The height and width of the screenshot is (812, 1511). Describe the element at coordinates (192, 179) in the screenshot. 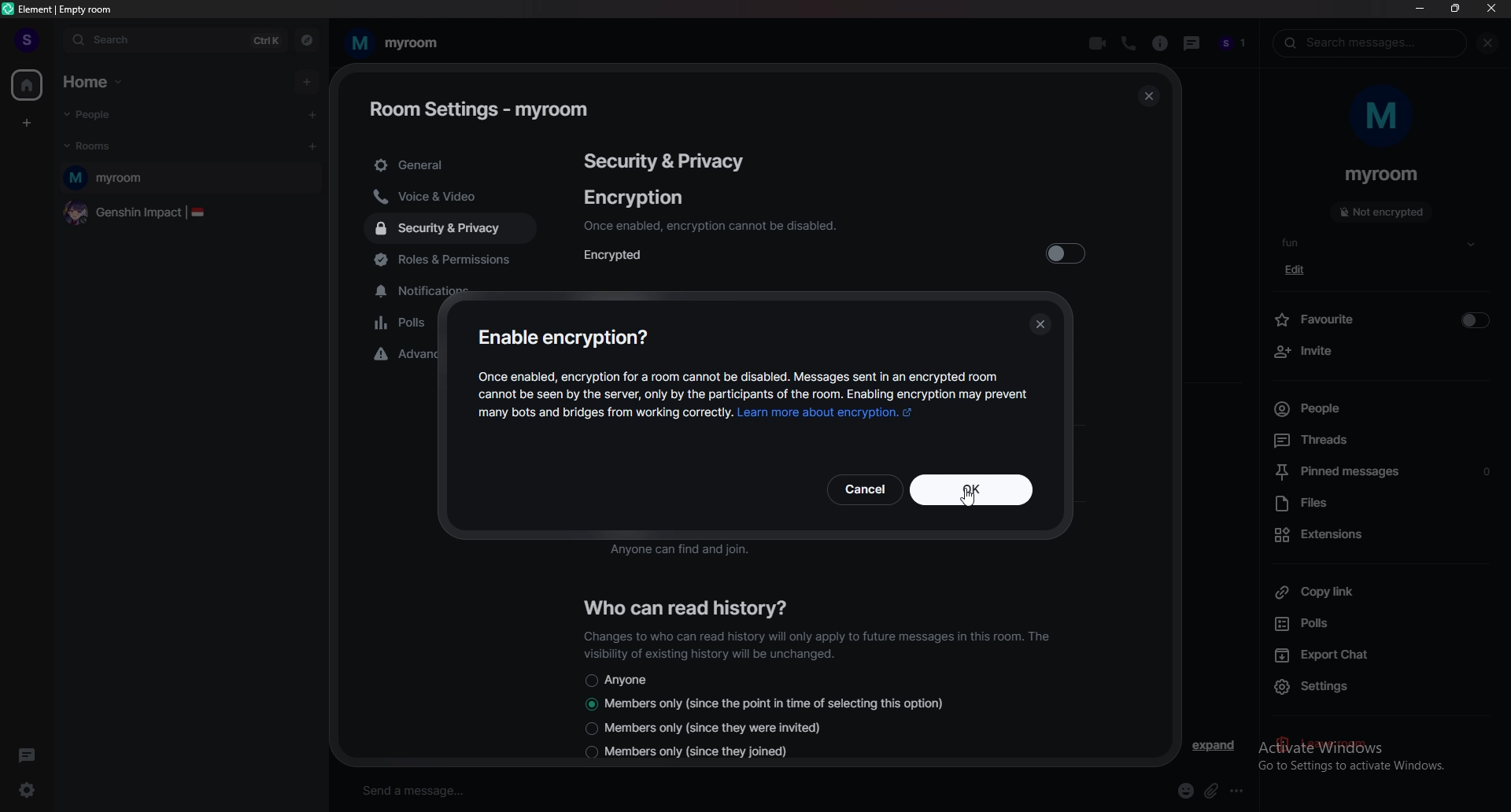

I see `myroom` at that location.